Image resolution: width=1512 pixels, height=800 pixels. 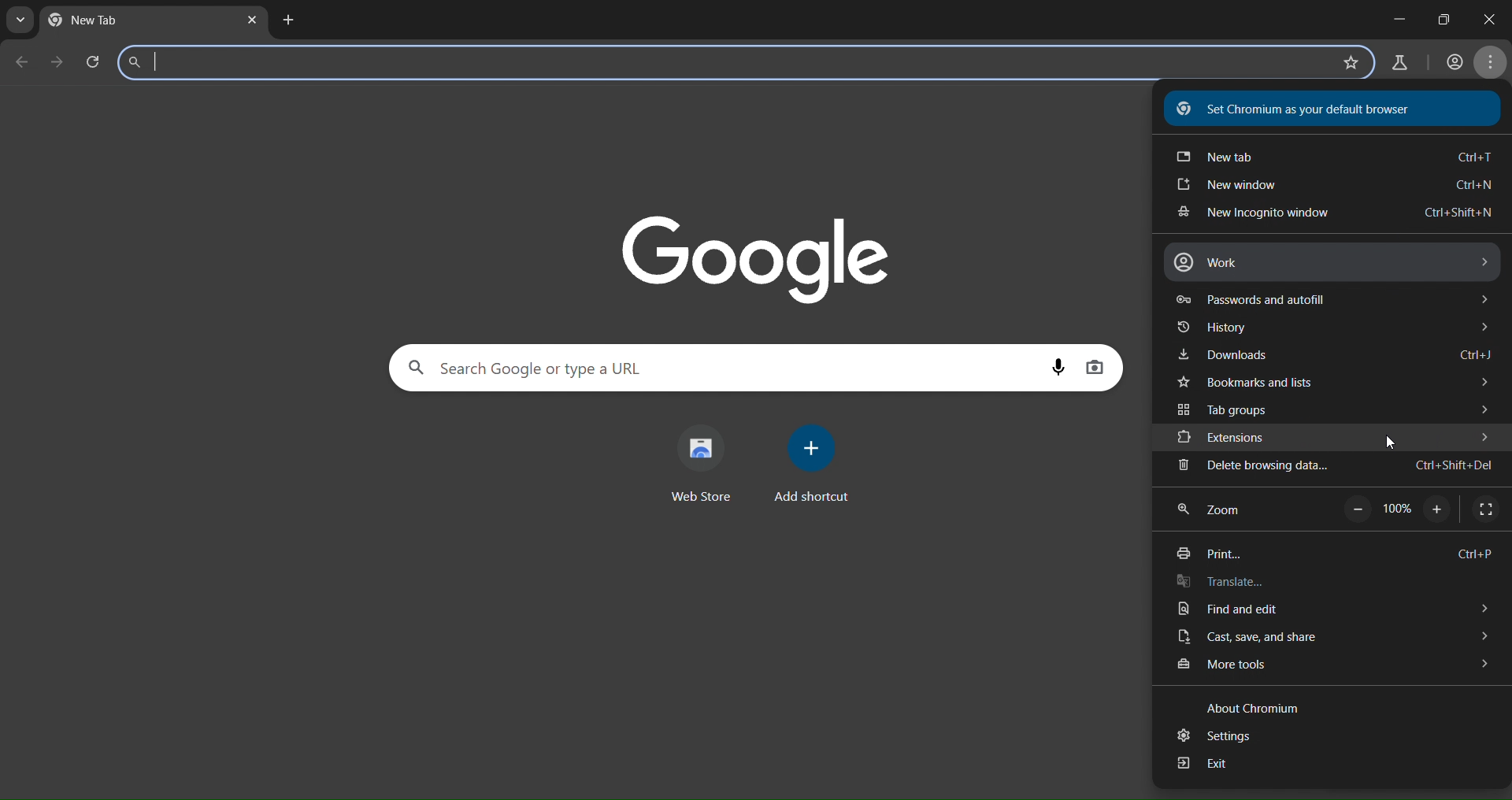 I want to click on go back one page, so click(x=20, y=61).